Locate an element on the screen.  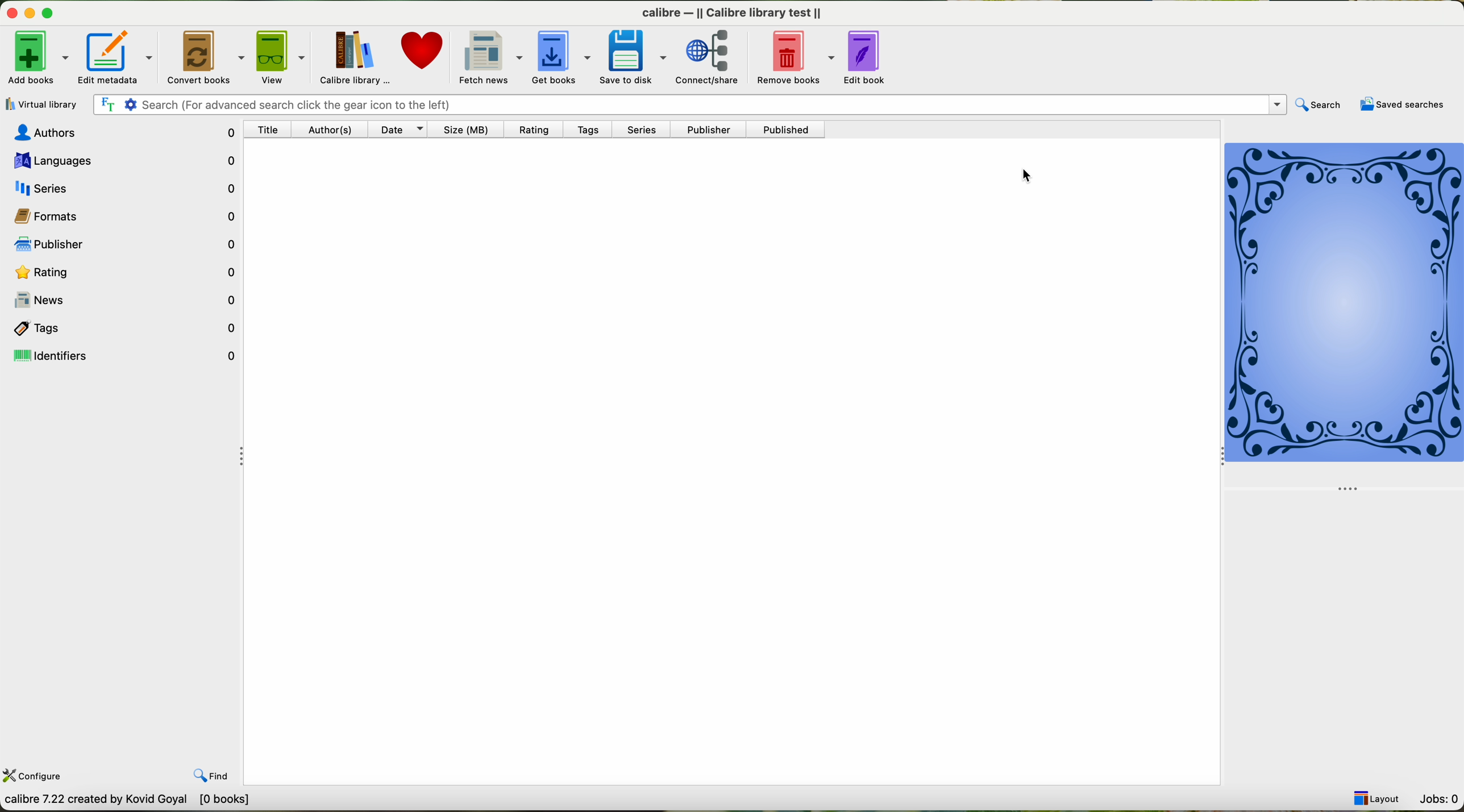
book cover preview is located at coordinates (1345, 303).